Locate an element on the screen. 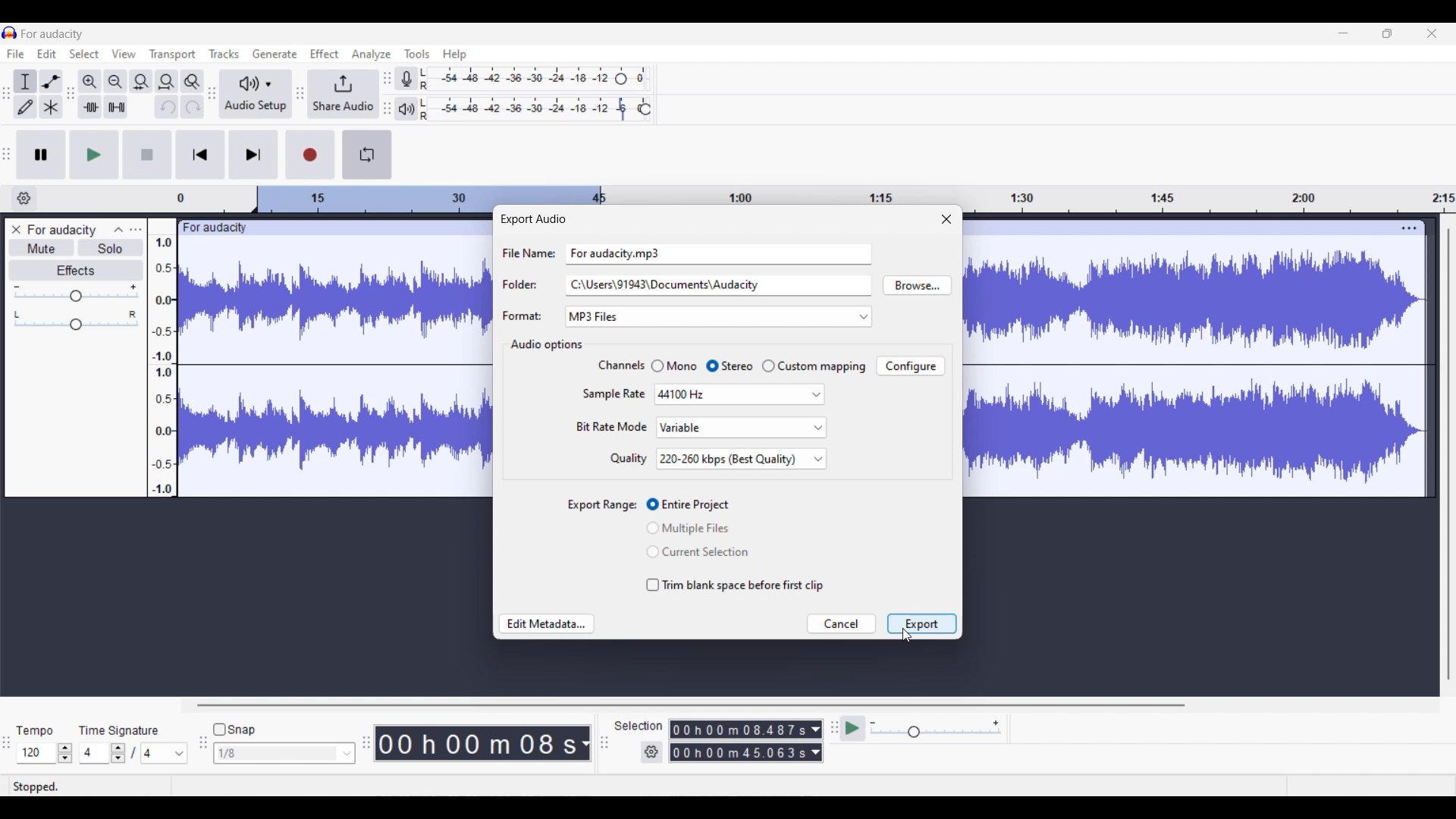  Pause is located at coordinates (41, 155).